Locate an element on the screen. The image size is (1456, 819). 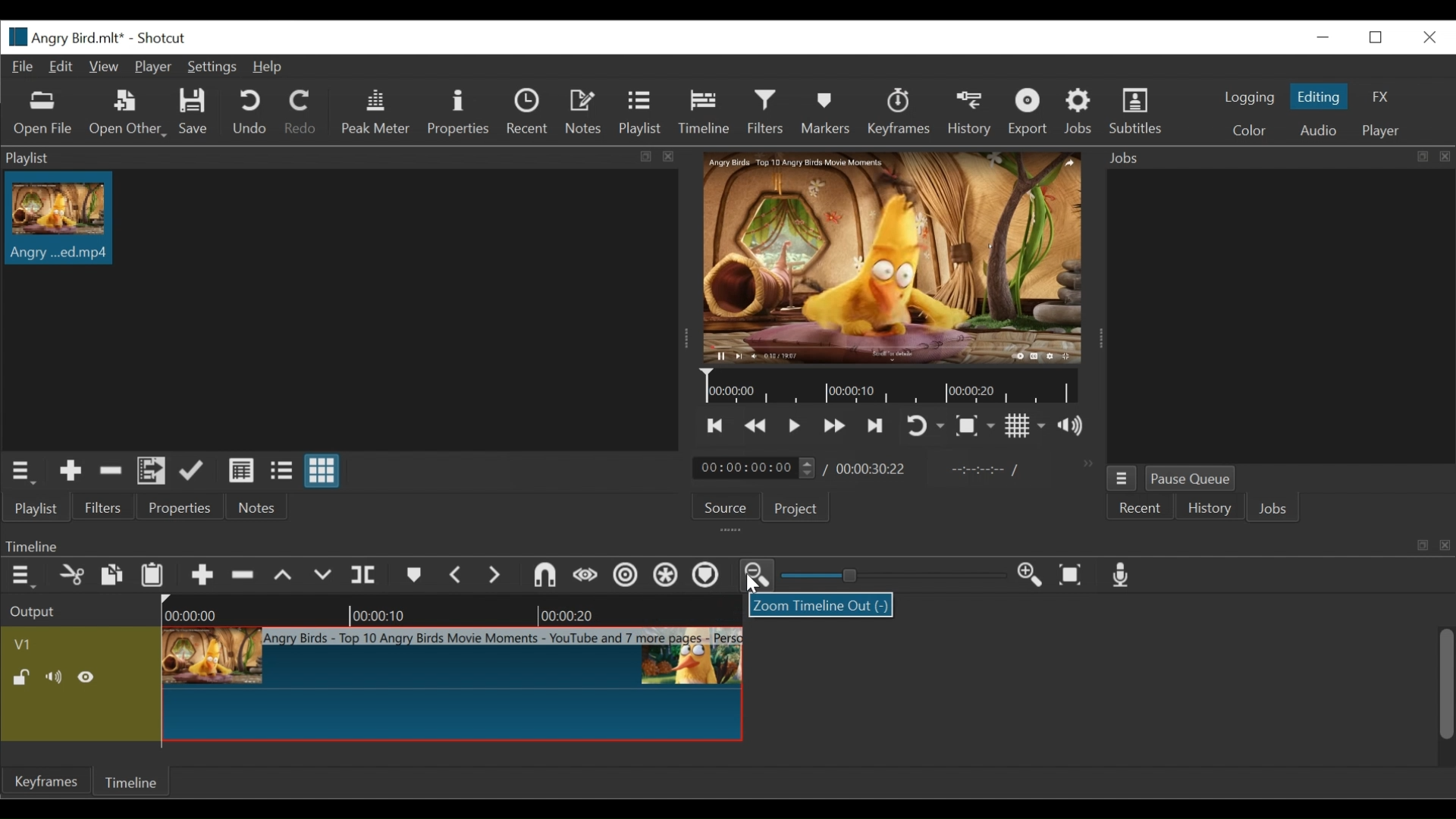
Minimize is located at coordinates (1326, 37).